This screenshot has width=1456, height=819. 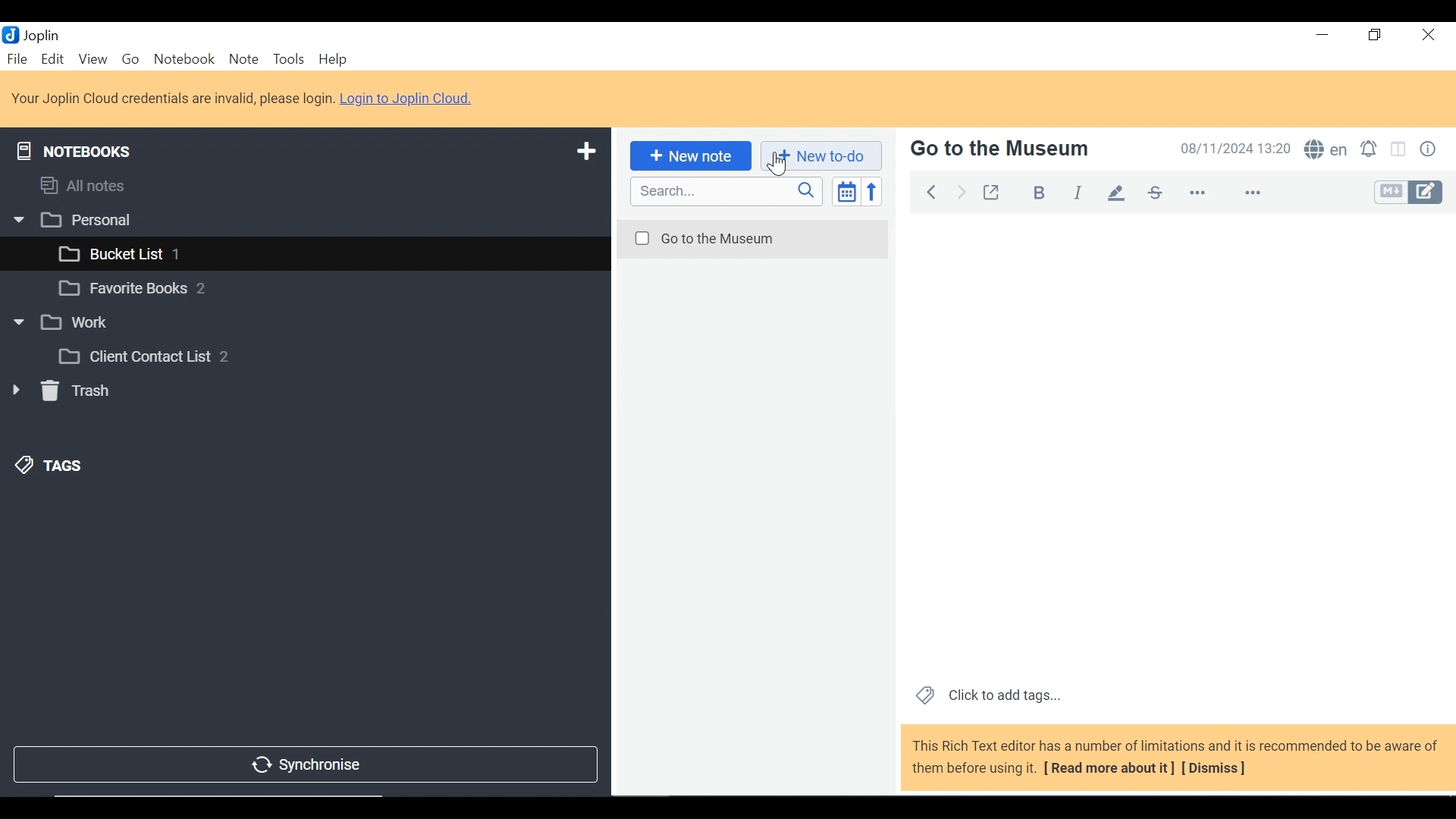 What do you see at coordinates (962, 190) in the screenshot?
I see `Forward` at bounding box center [962, 190].